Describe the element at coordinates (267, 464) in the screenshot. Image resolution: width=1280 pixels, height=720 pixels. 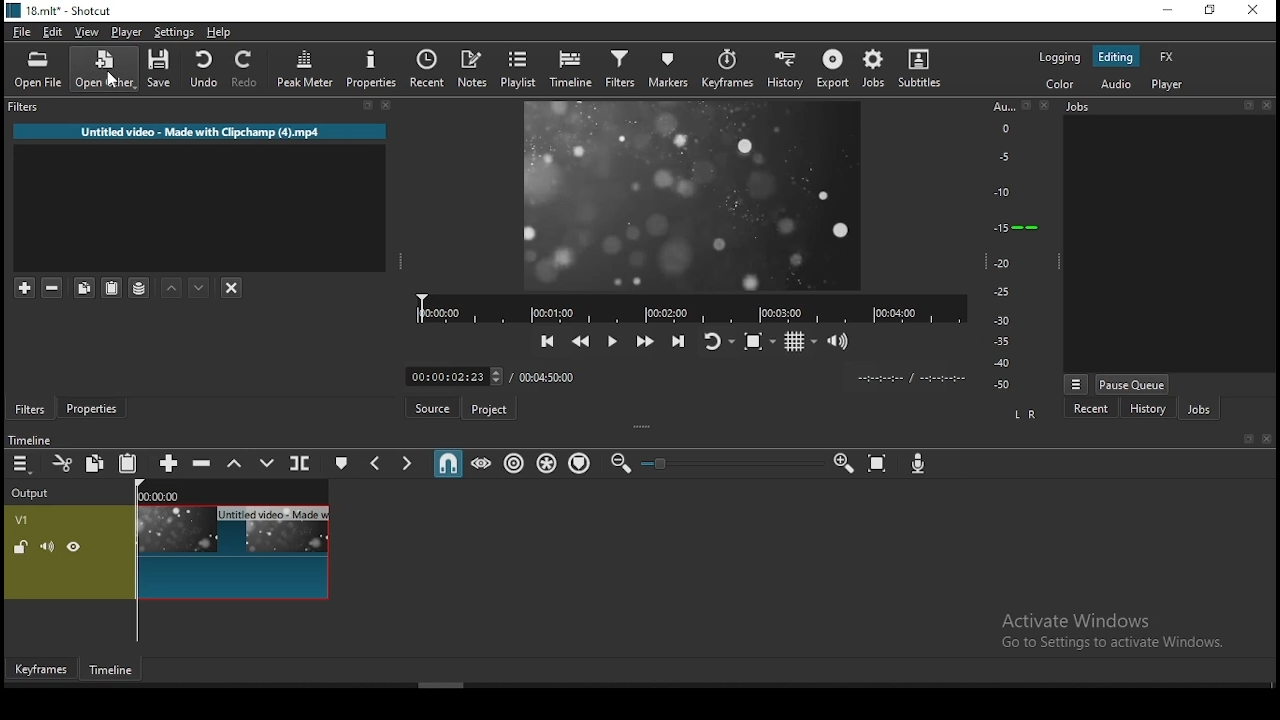
I see `overwrite` at that location.